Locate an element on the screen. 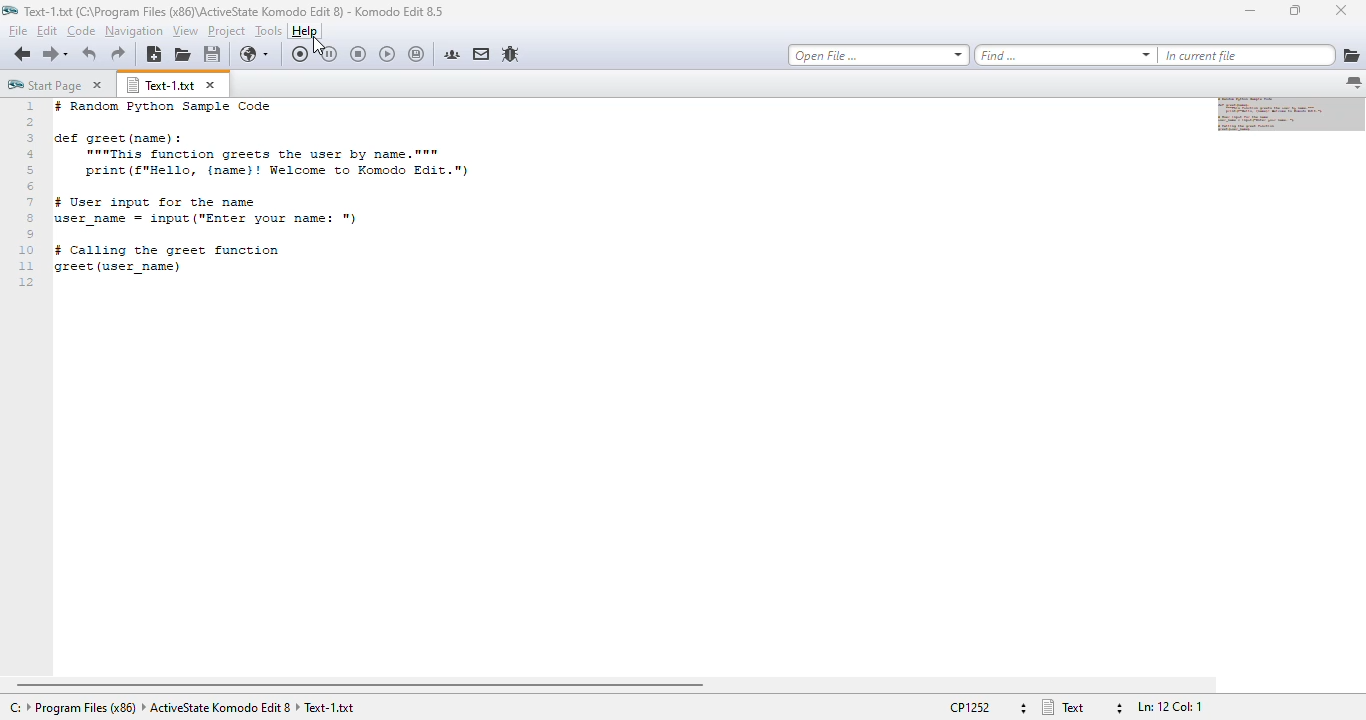 The image size is (1366, 720). text is located at coordinates (277, 195).